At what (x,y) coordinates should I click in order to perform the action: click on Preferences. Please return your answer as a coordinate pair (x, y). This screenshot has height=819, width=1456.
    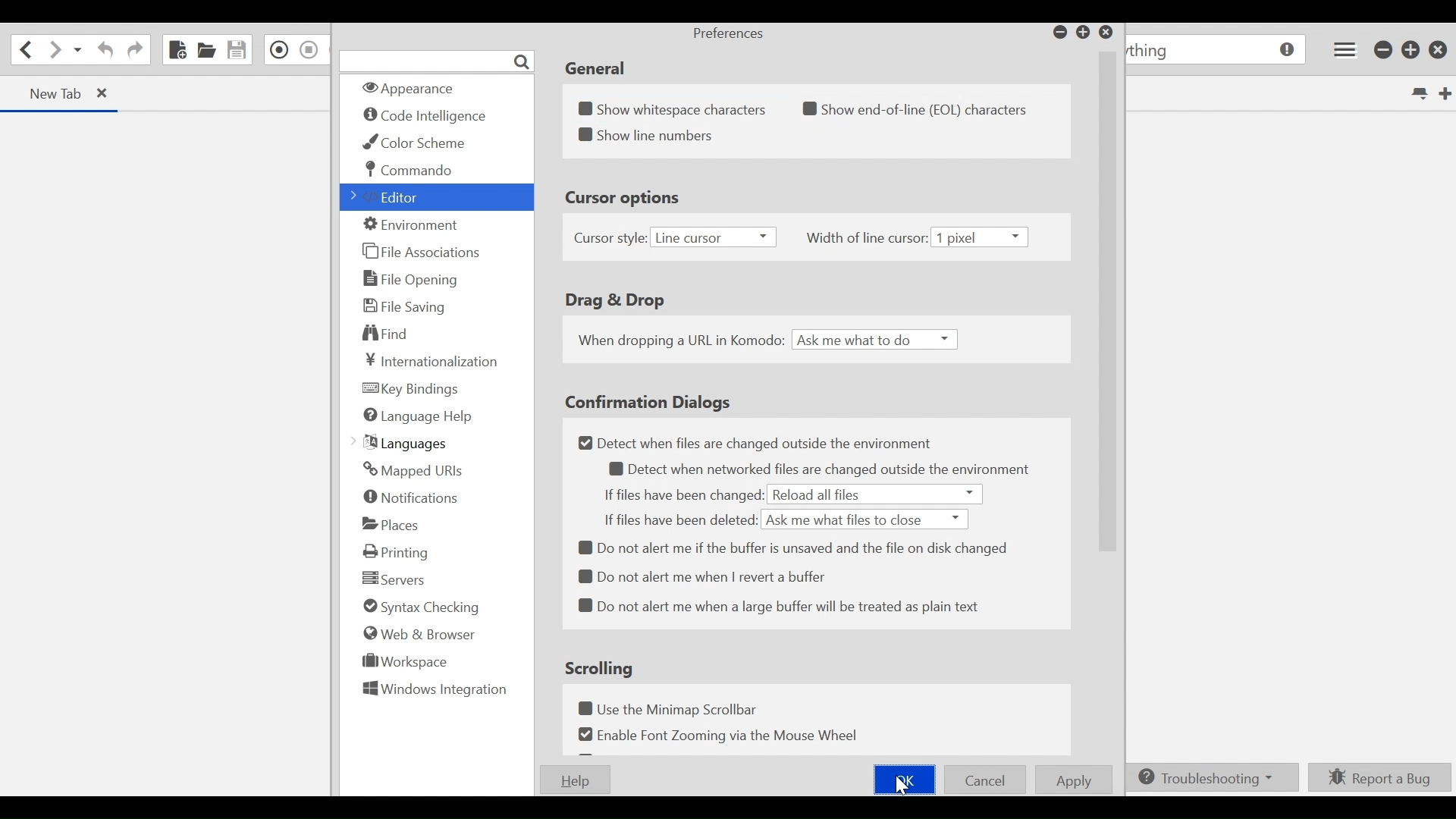
    Looking at the image, I should click on (727, 35).